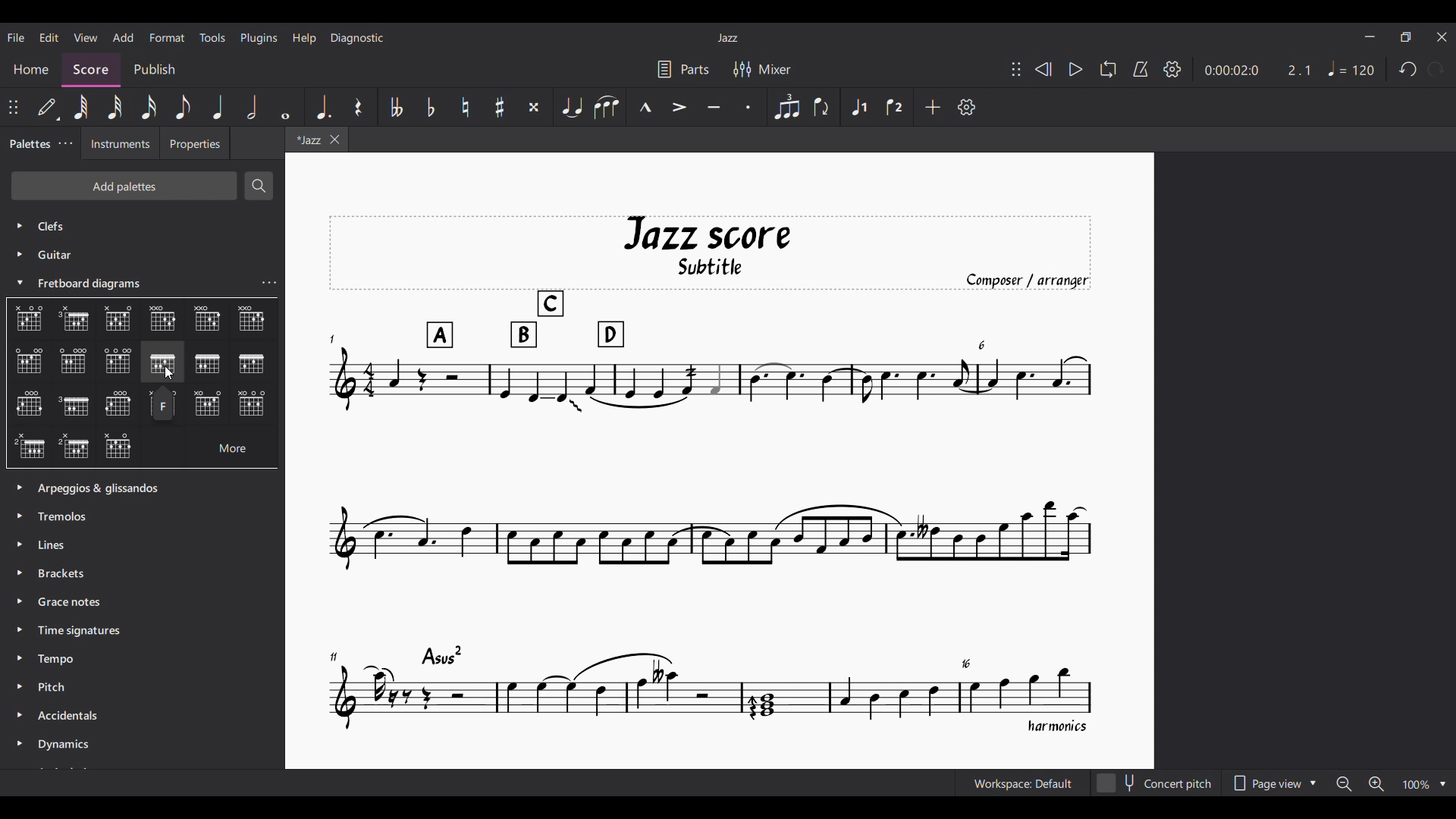  I want to click on Score, current section highlighted, so click(89, 67).